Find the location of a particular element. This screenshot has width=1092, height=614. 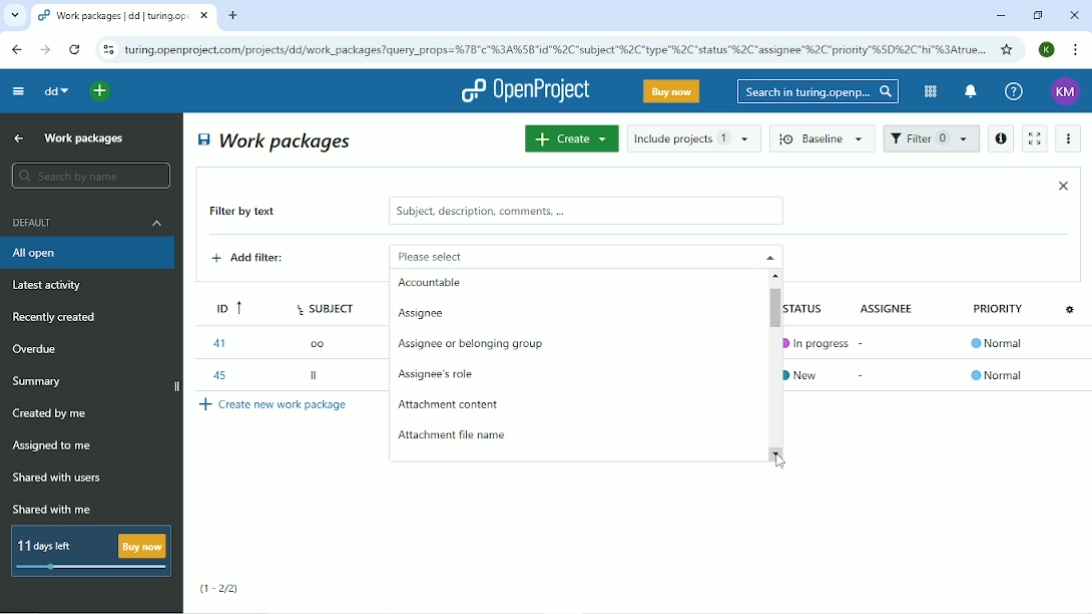

Create is located at coordinates (571, 138).